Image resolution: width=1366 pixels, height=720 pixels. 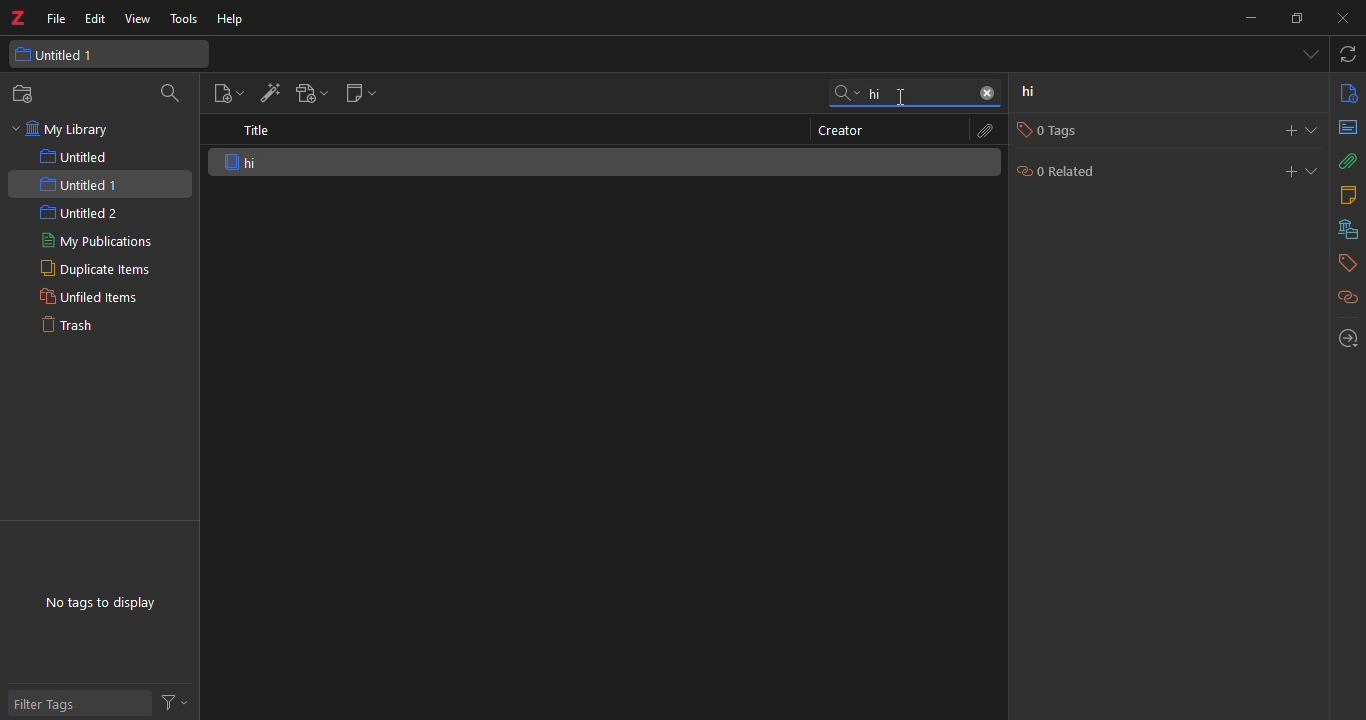 What do you see at coordinates (96, 19) in the screenshot?
I see `edit` at bounding box center [96, 19].